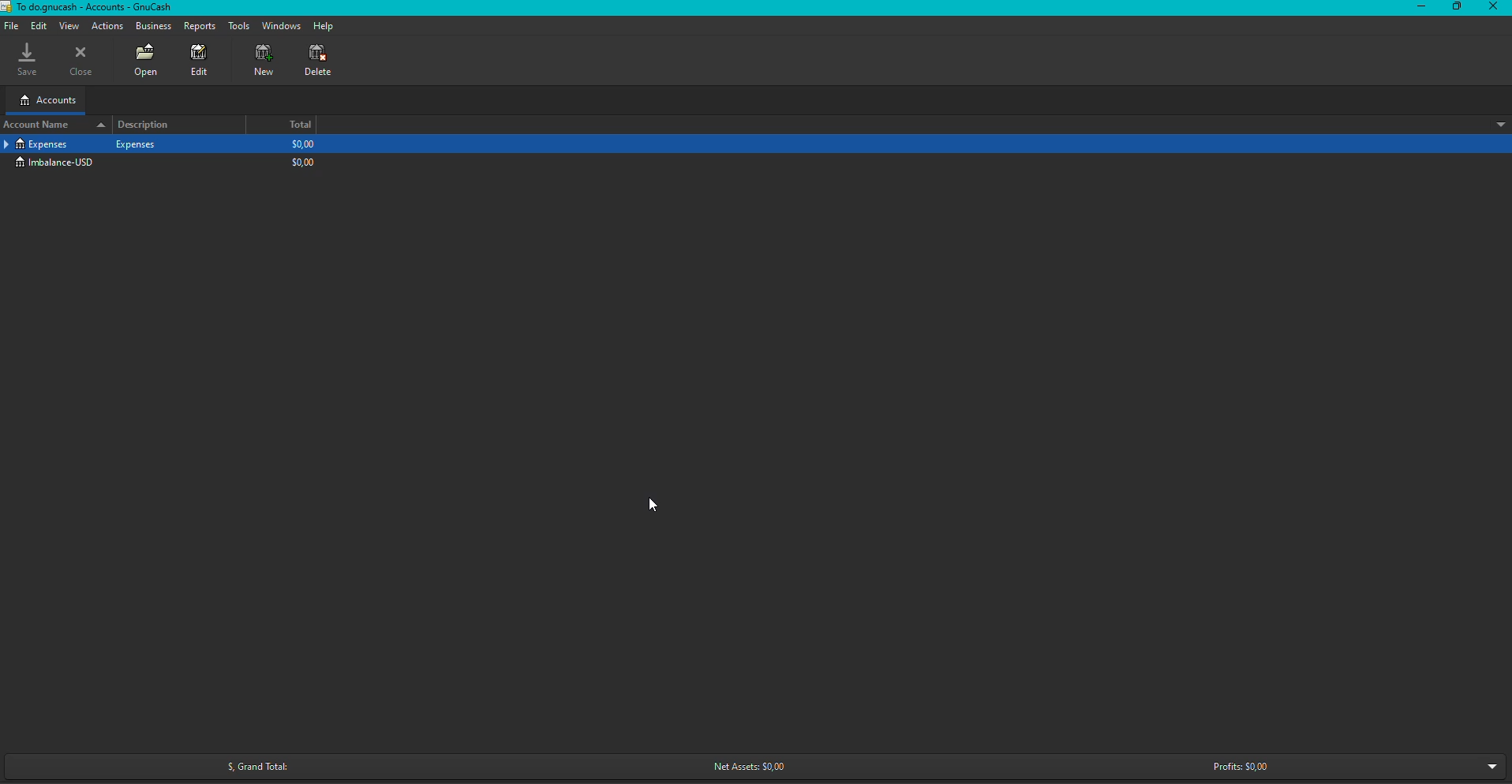  Describe the element at coordinates (280, 26) in the screenshot. I see `Windows` at that location.